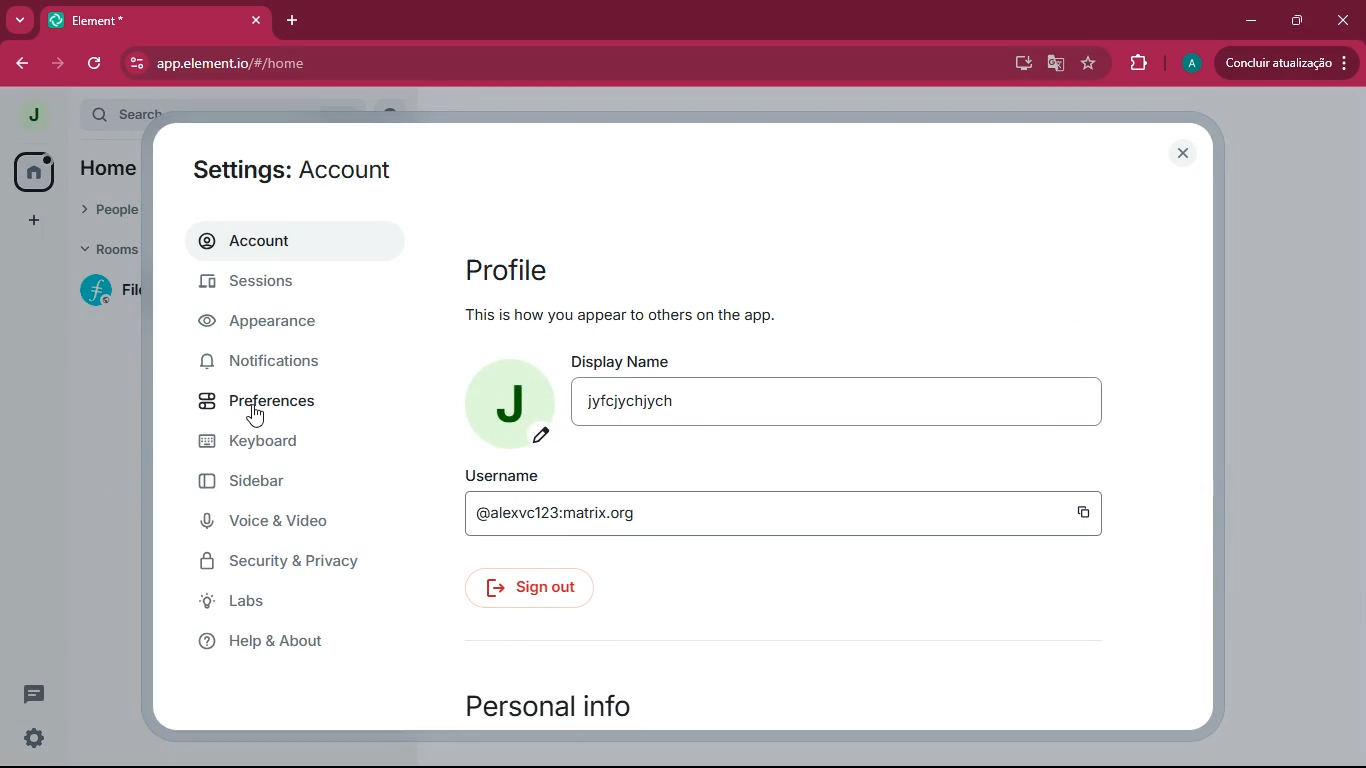 Image resolution: width=1366 pixels, height=768 pixels. I want to click on profile picture, so click(32, 116).